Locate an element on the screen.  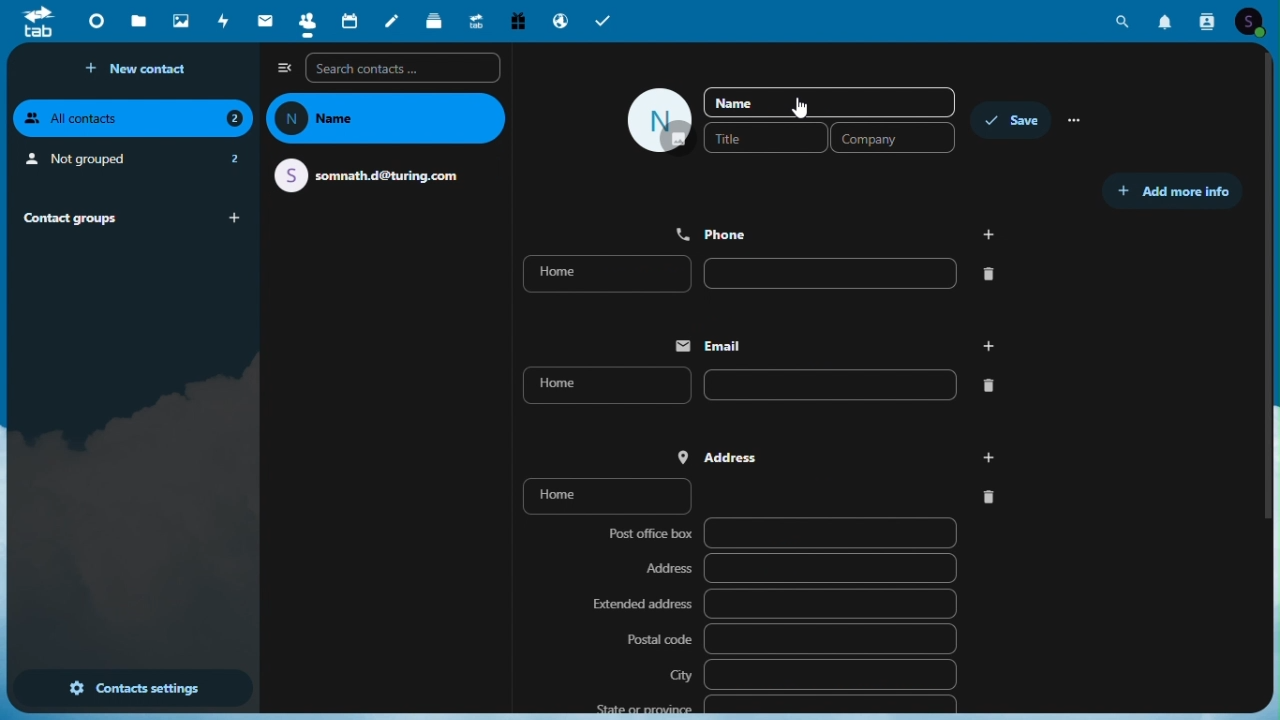
name is located at coordinates (828, 101).